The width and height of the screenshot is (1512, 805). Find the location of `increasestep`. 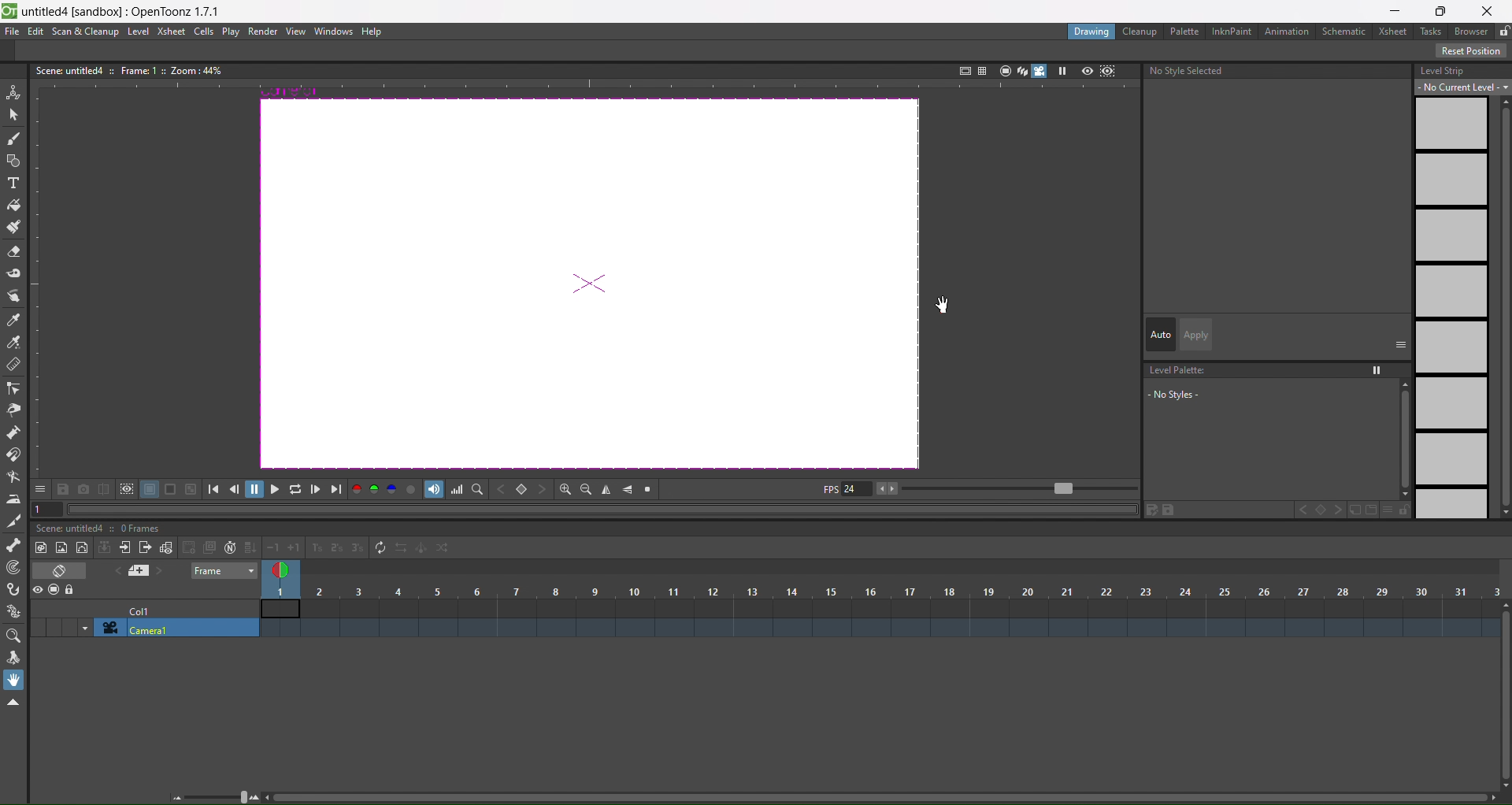

increasestep is located at coordinates (314, 546).